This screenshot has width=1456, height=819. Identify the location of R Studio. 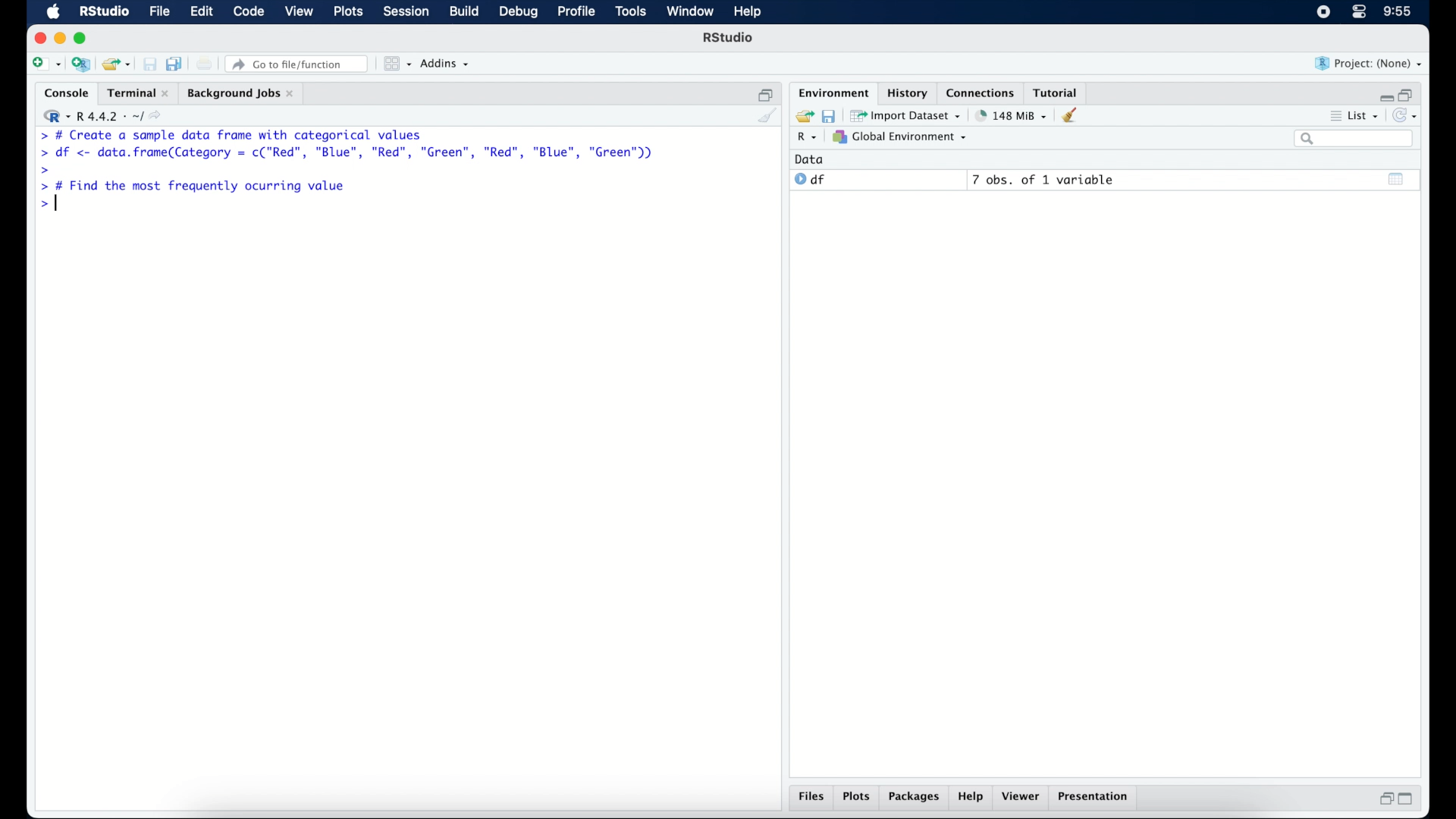
(730, 38).